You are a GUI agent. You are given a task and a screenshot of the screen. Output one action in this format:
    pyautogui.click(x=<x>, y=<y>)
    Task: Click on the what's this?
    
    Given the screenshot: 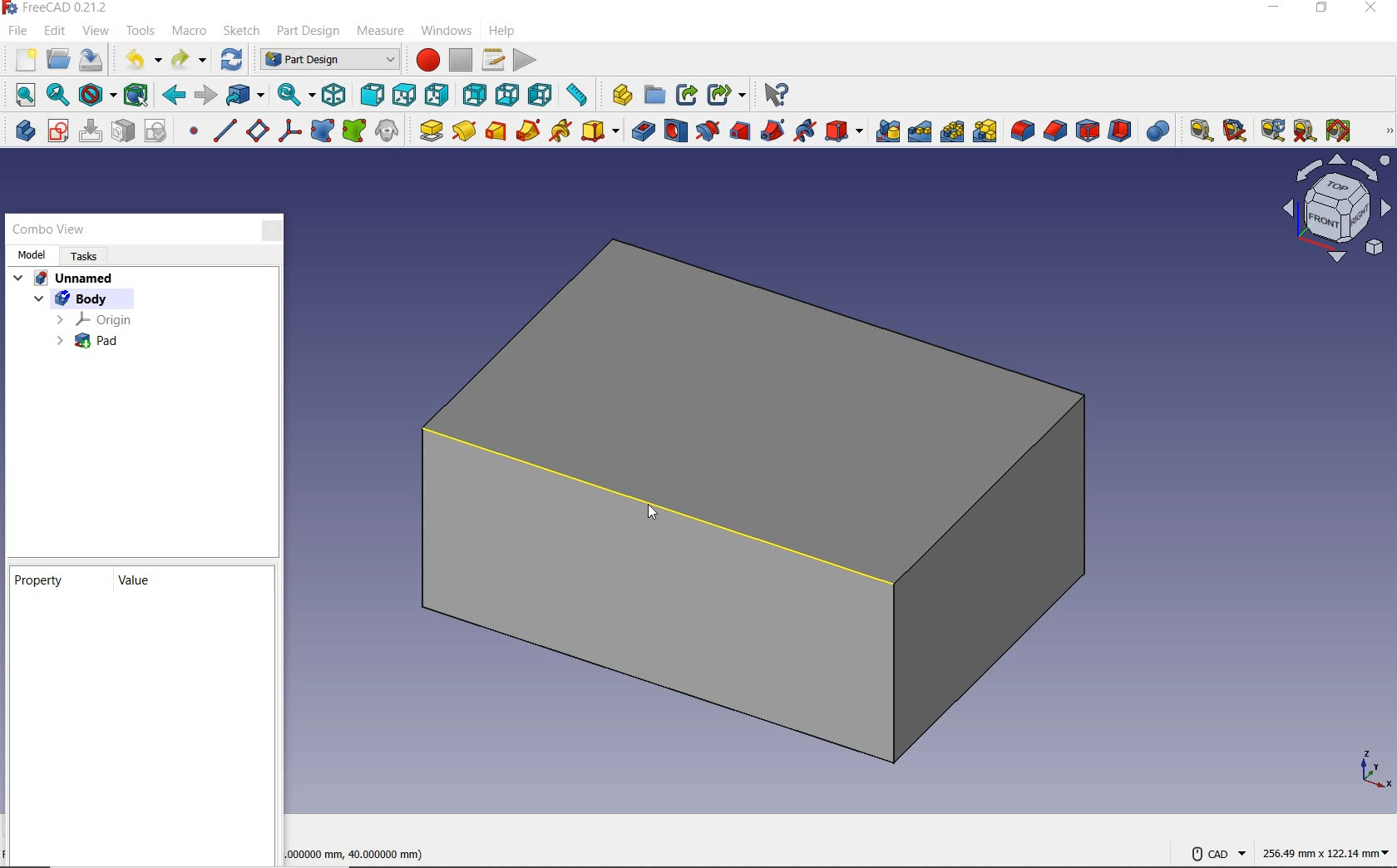 What is the action you would take?
    pyautogui.click(x=776, y=96)
    